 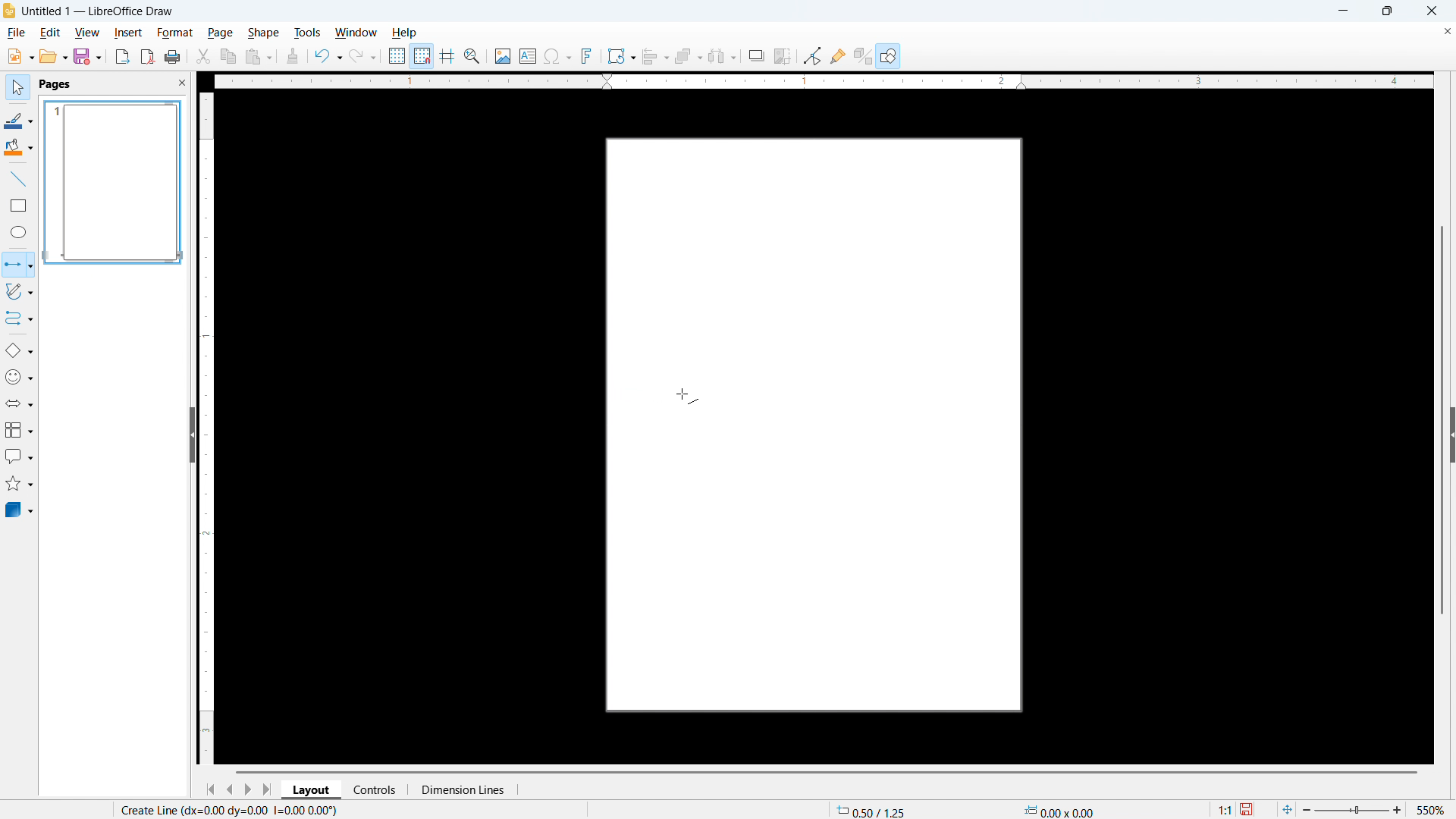 I want to click on Symbol shapes , so click(x=19, y=377).